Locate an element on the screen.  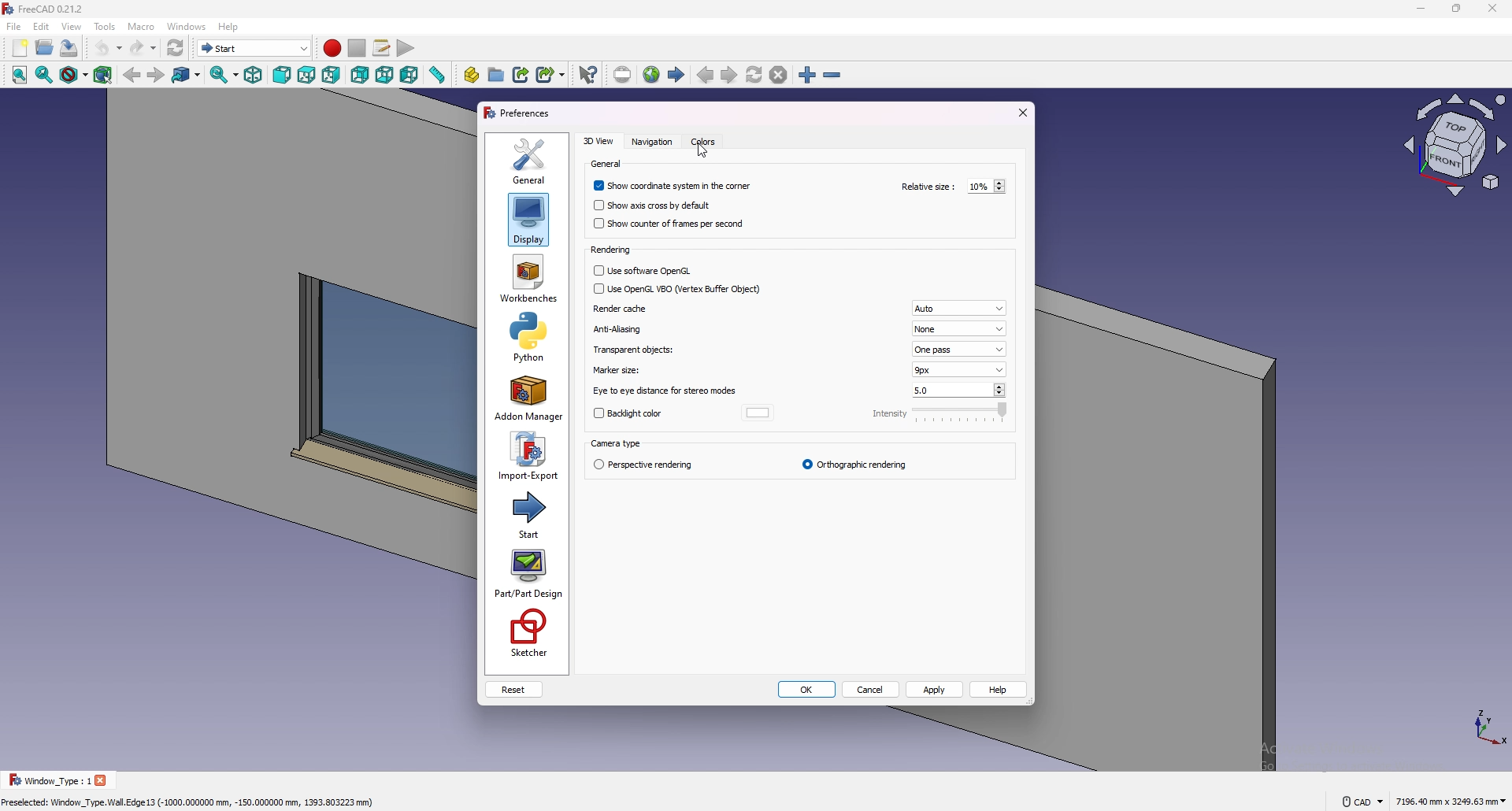
9px is located at coordinates (959, 369).